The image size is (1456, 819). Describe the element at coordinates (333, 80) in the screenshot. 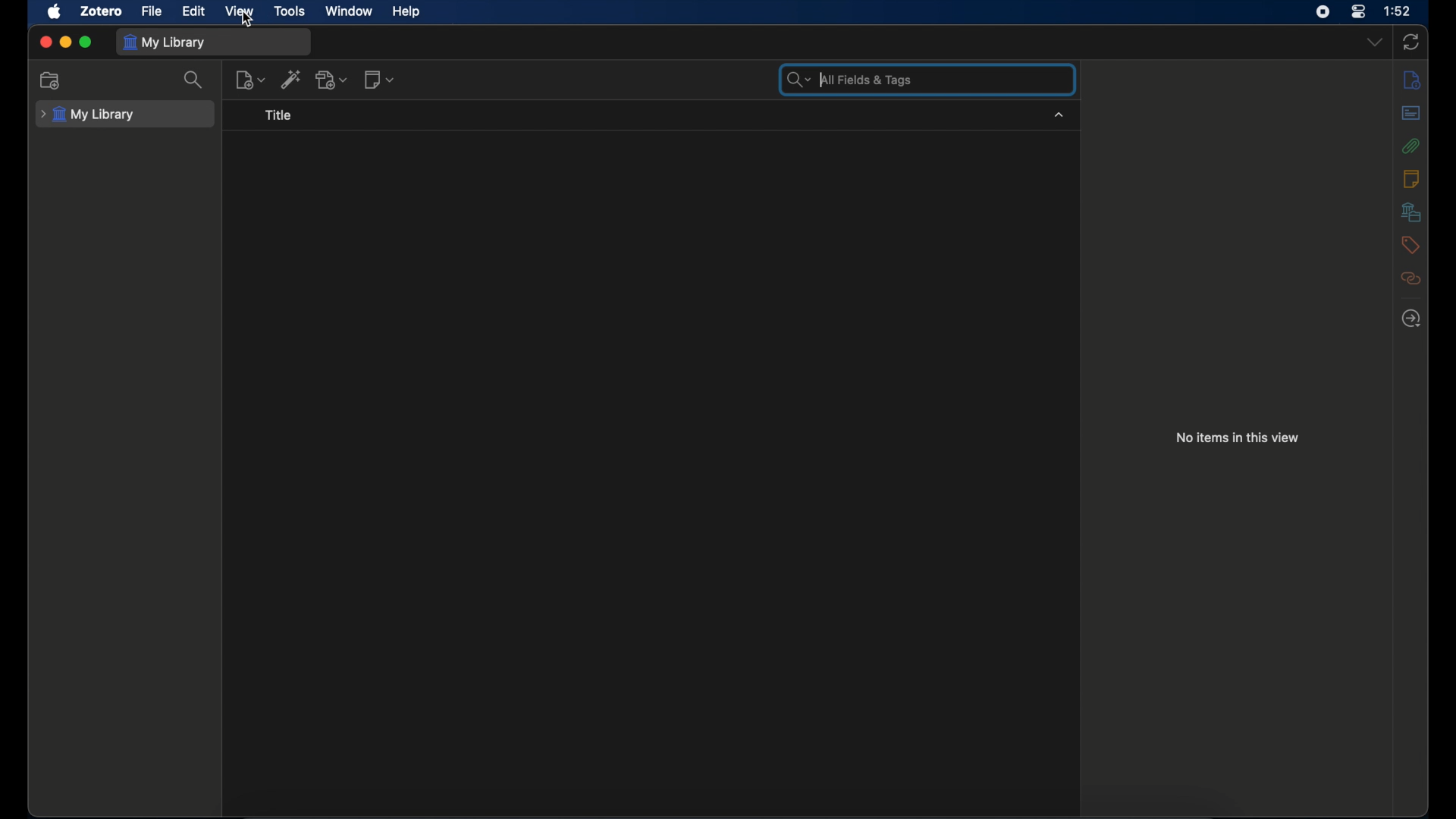

I see `add attachment` at that location.